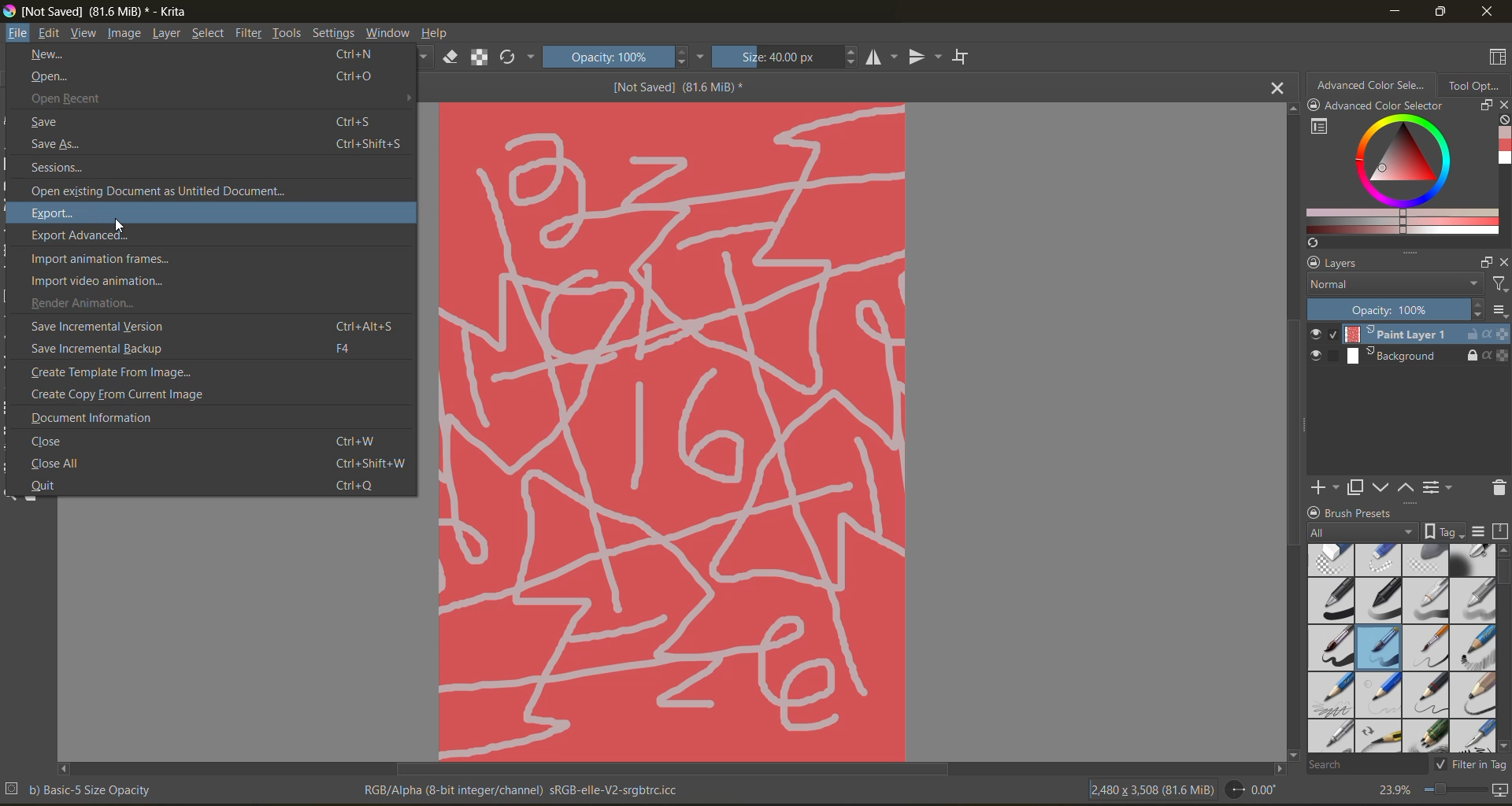 The width and height of the screenshot is (1512, 806). Describe the element at coordinates (1478, 531) in the screenshot. I see `display settings` at that location.